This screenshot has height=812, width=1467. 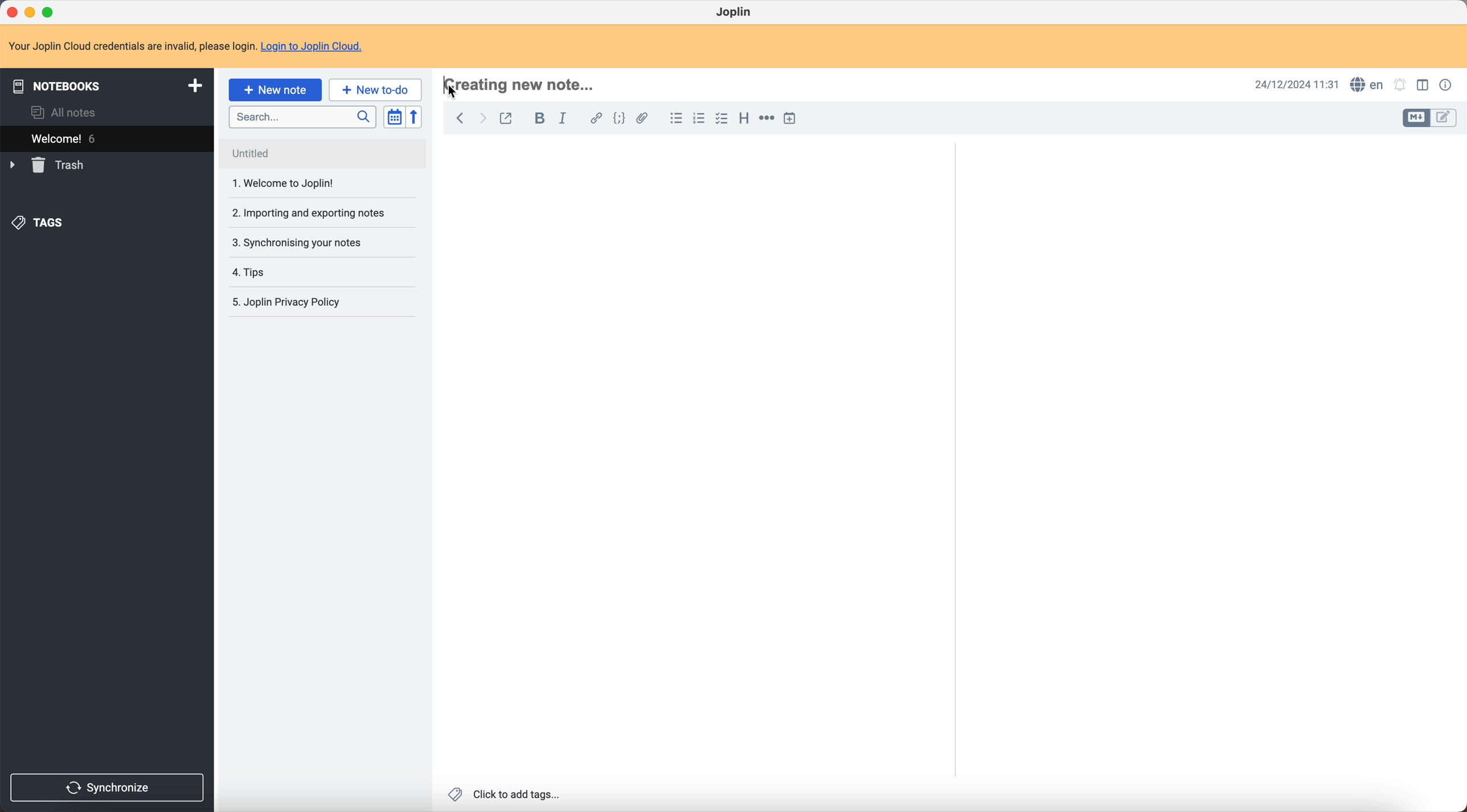 What do you see at coordinates (301, 118) in the screenshot?
I see `search bar` at bounding box center [301, 118].